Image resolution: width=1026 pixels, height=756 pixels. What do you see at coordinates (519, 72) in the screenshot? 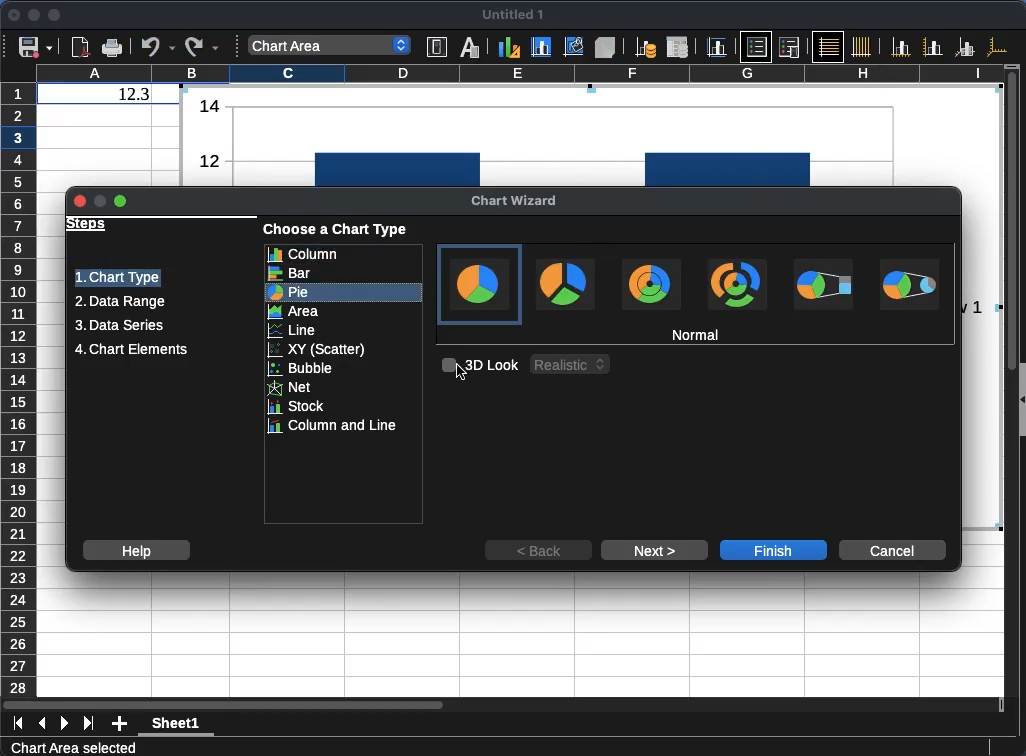
I see `column ` at bounding box center [519, 72].